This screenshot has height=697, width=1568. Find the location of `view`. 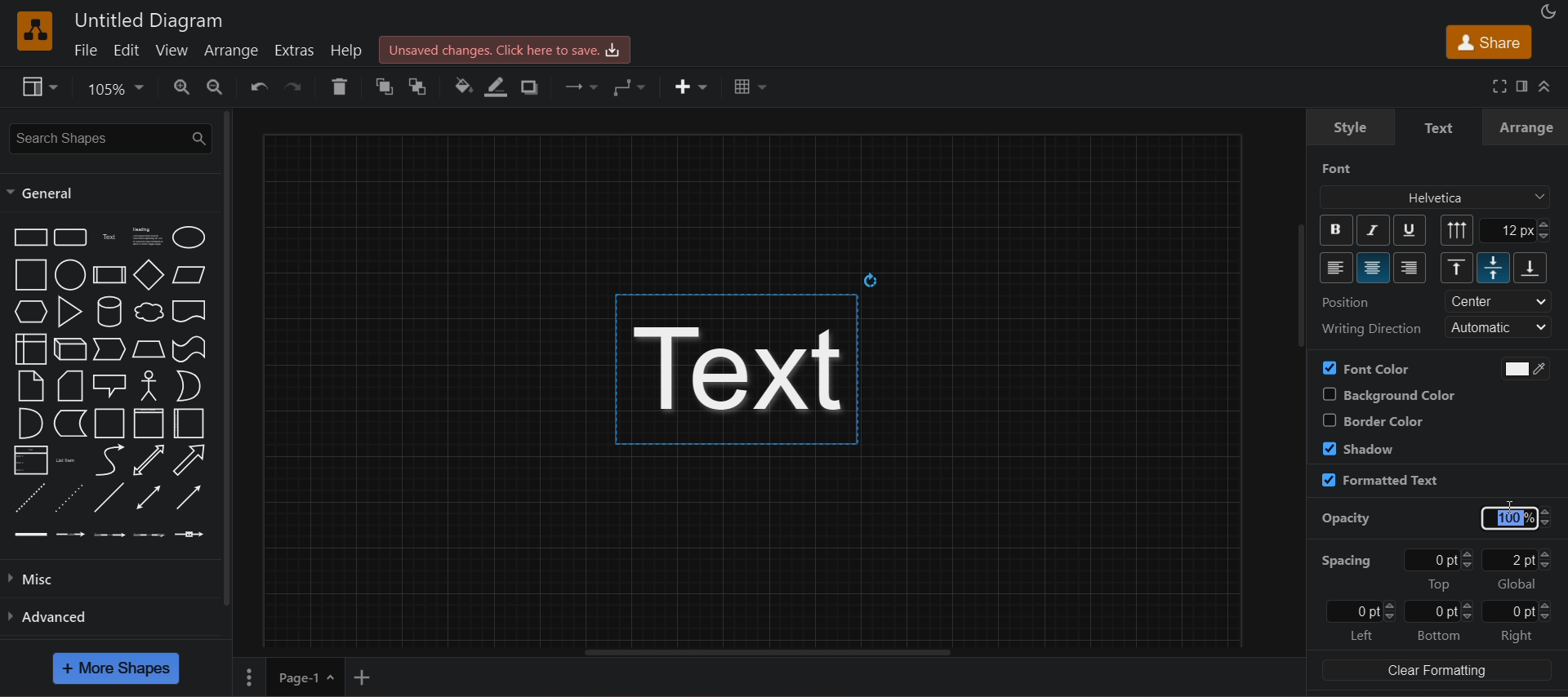

view is located at coordinates (170, 49).